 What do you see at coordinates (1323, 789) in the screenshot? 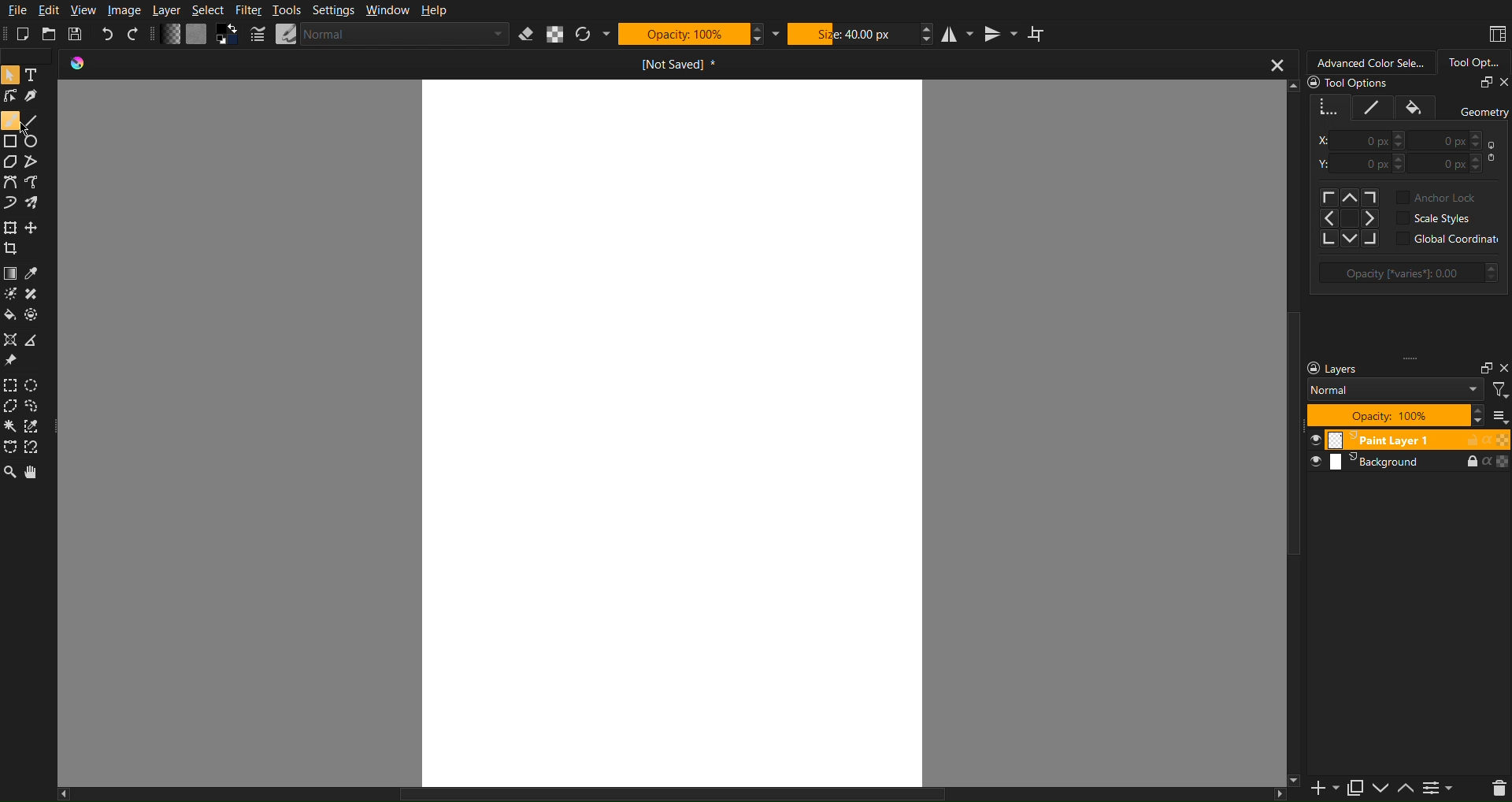
I see `Add Slide` at bounding box center [1323, 789].